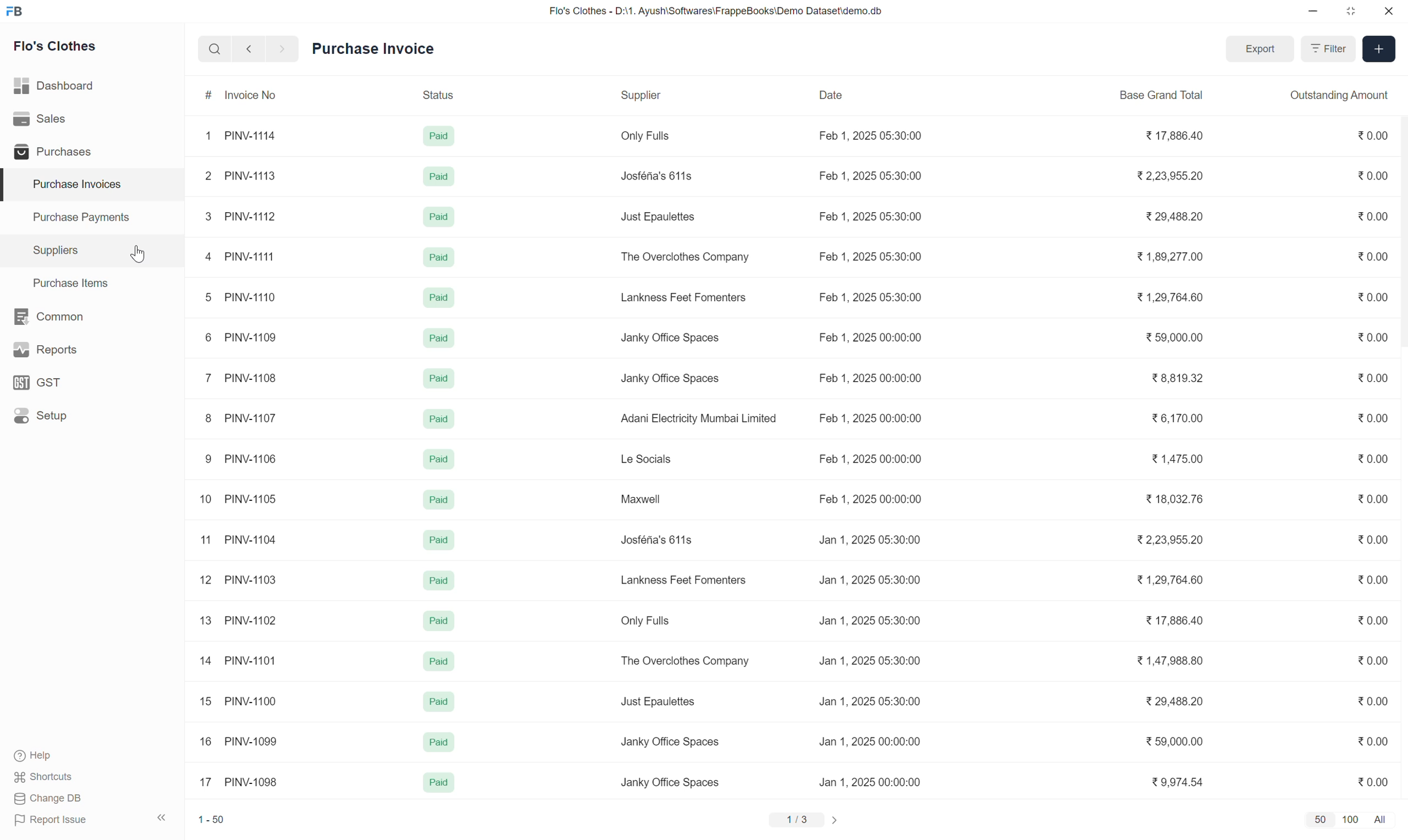  Describe the element at coordinates (55, 44) in the screenshot. I see `Flo's Clothes` at that location.